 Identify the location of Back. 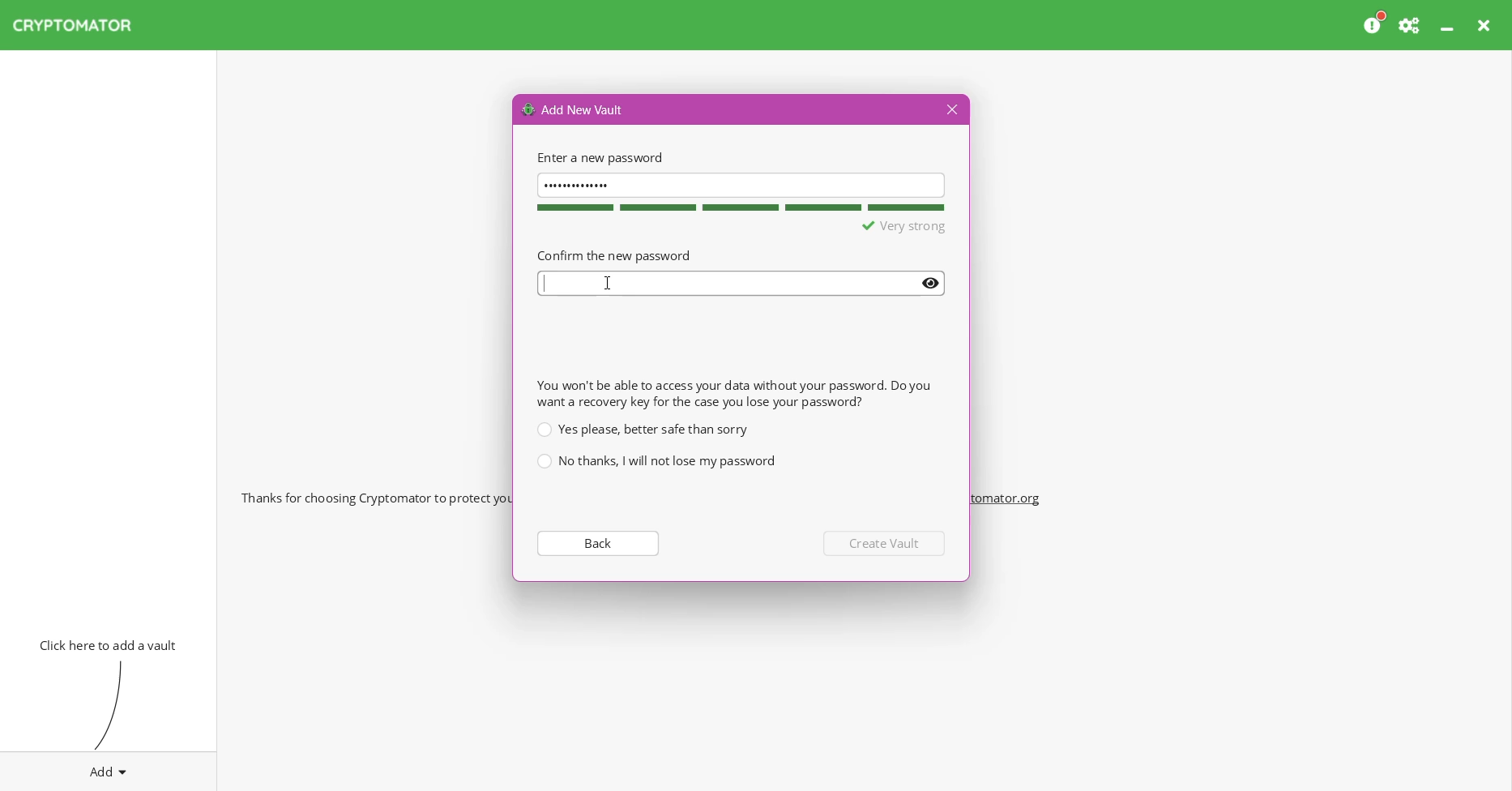
(596, 542).